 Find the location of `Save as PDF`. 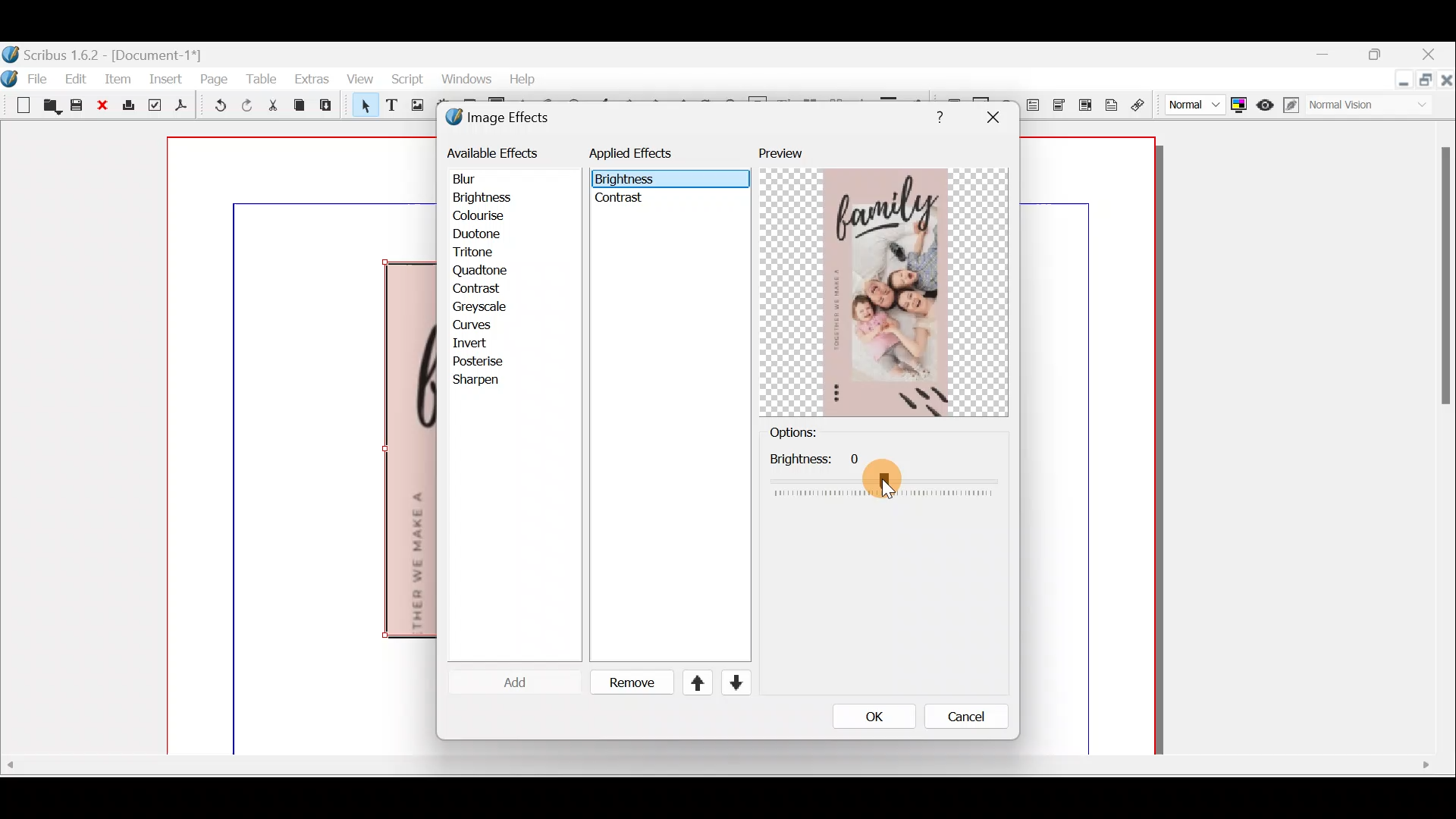

Save as PDF is located at coordinates (179, 108).